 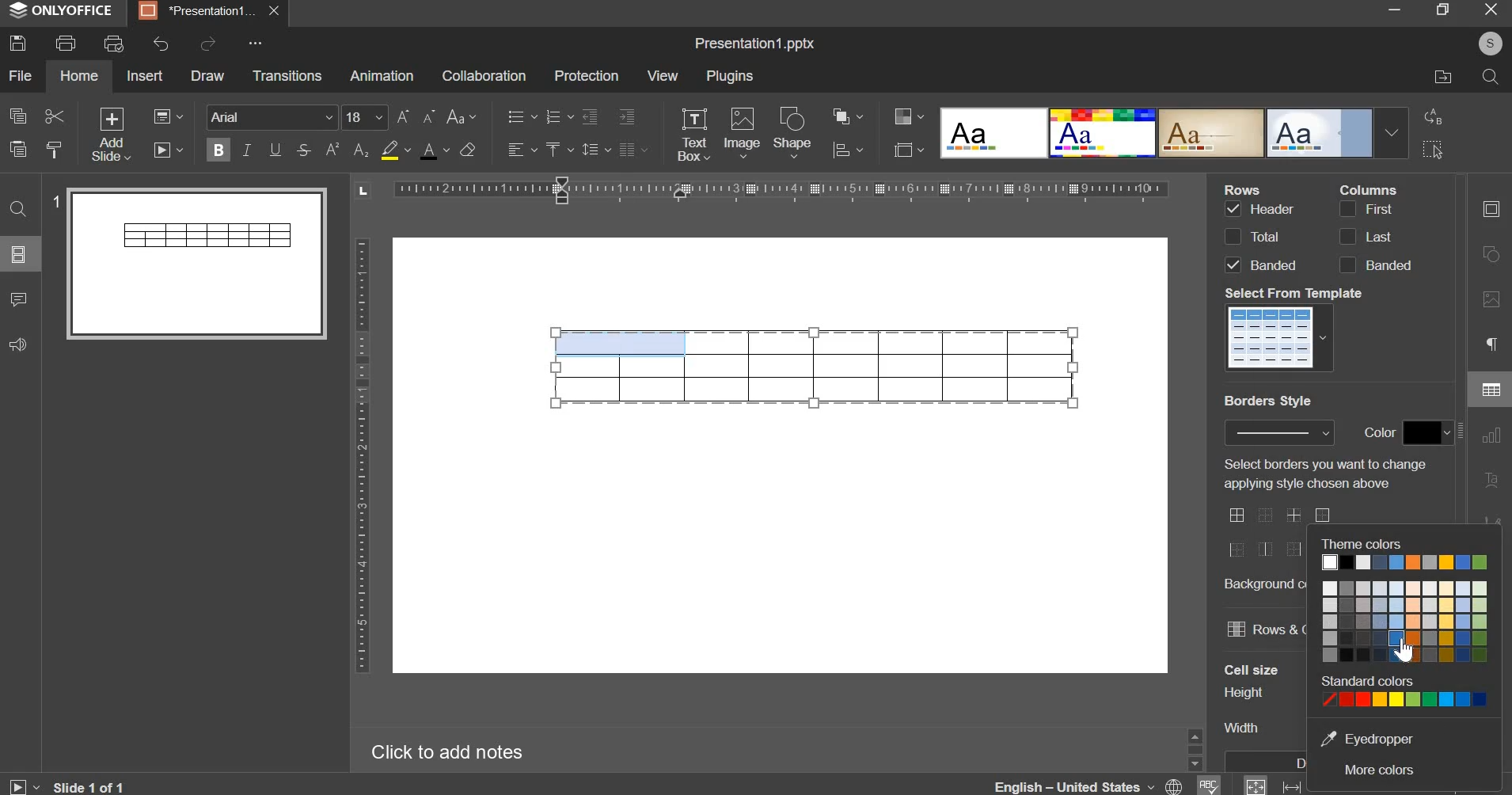 I want to click on copy style, so click(x=56, y=150).